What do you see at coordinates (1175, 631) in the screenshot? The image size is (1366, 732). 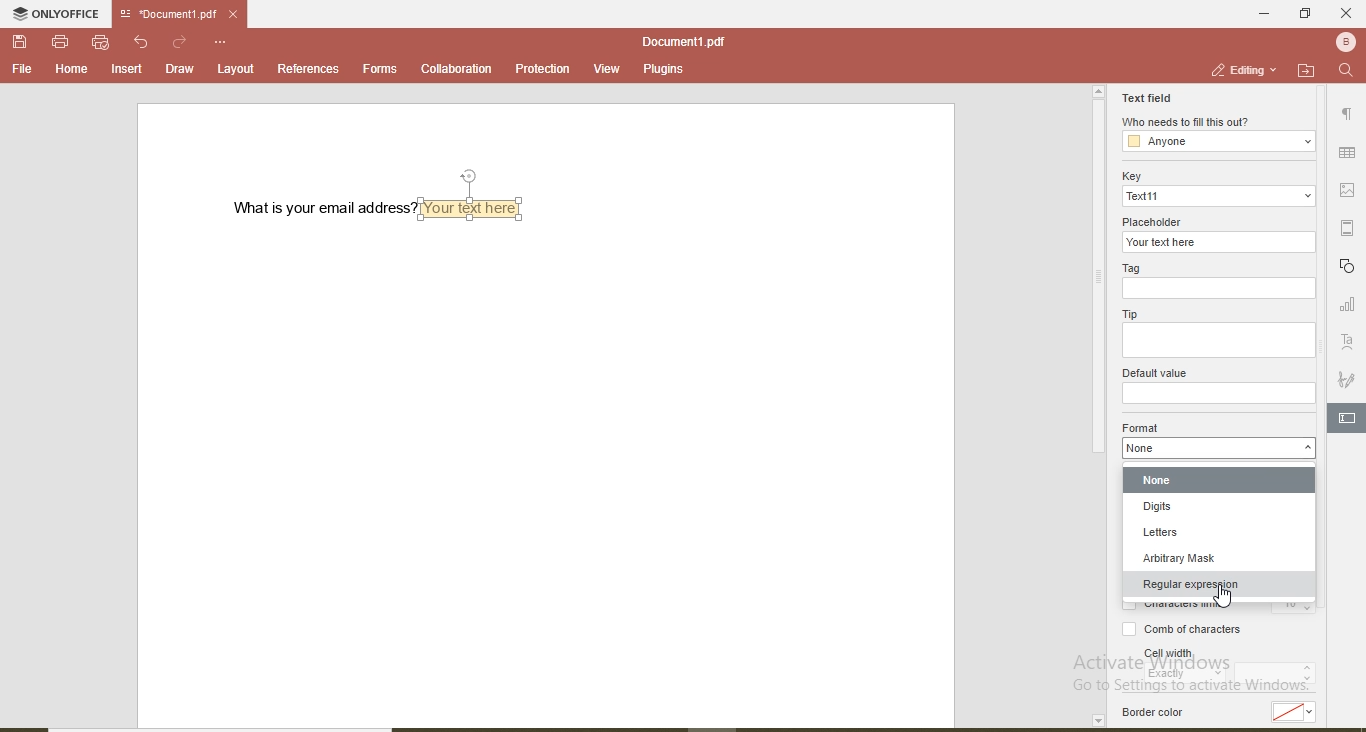 I see `comb of characters` at bounding box center [1175, 631].